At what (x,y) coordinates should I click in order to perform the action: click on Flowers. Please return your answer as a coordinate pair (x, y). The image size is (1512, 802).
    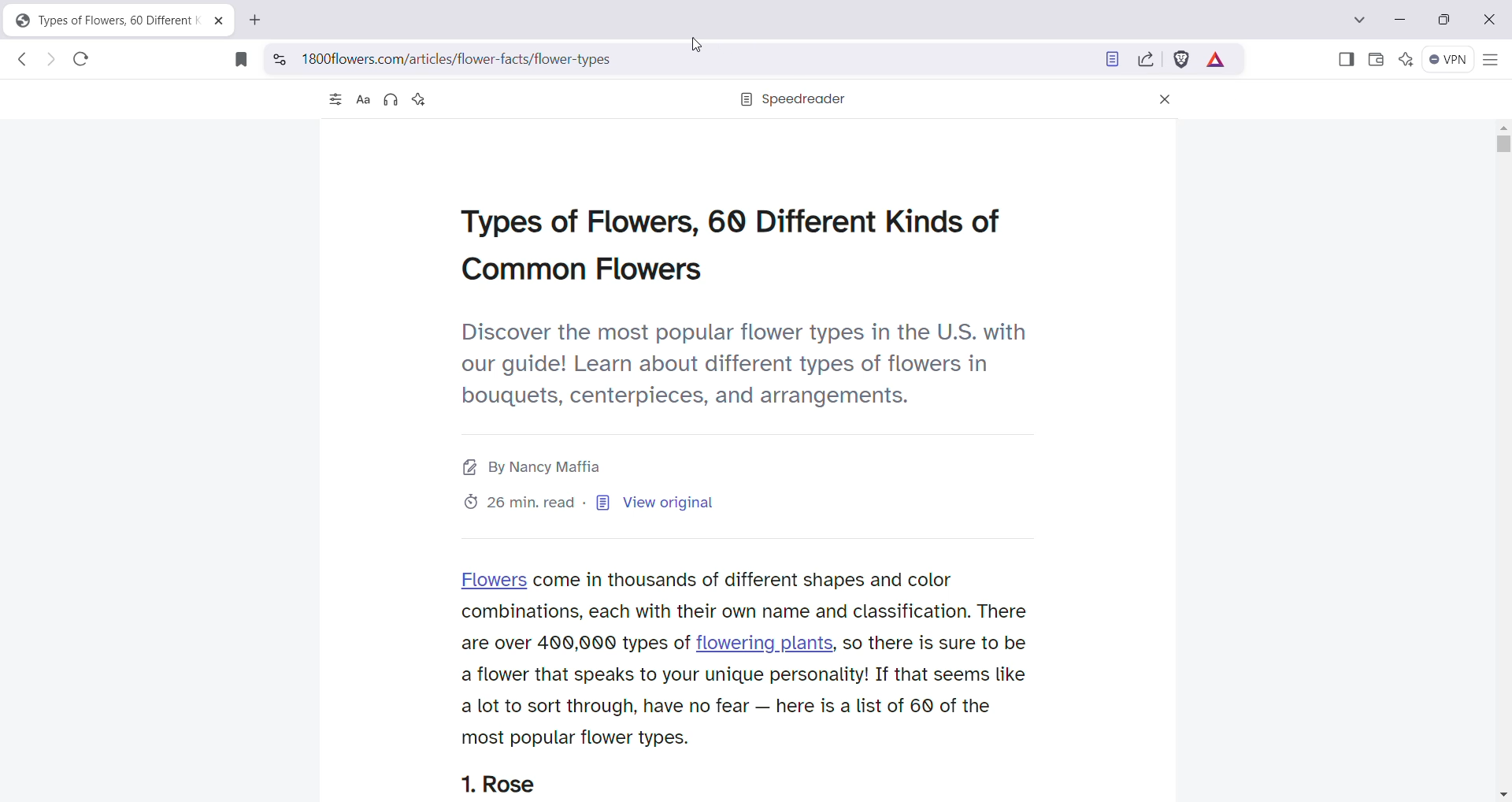
    Looking at the image, I should click on (495, 579).